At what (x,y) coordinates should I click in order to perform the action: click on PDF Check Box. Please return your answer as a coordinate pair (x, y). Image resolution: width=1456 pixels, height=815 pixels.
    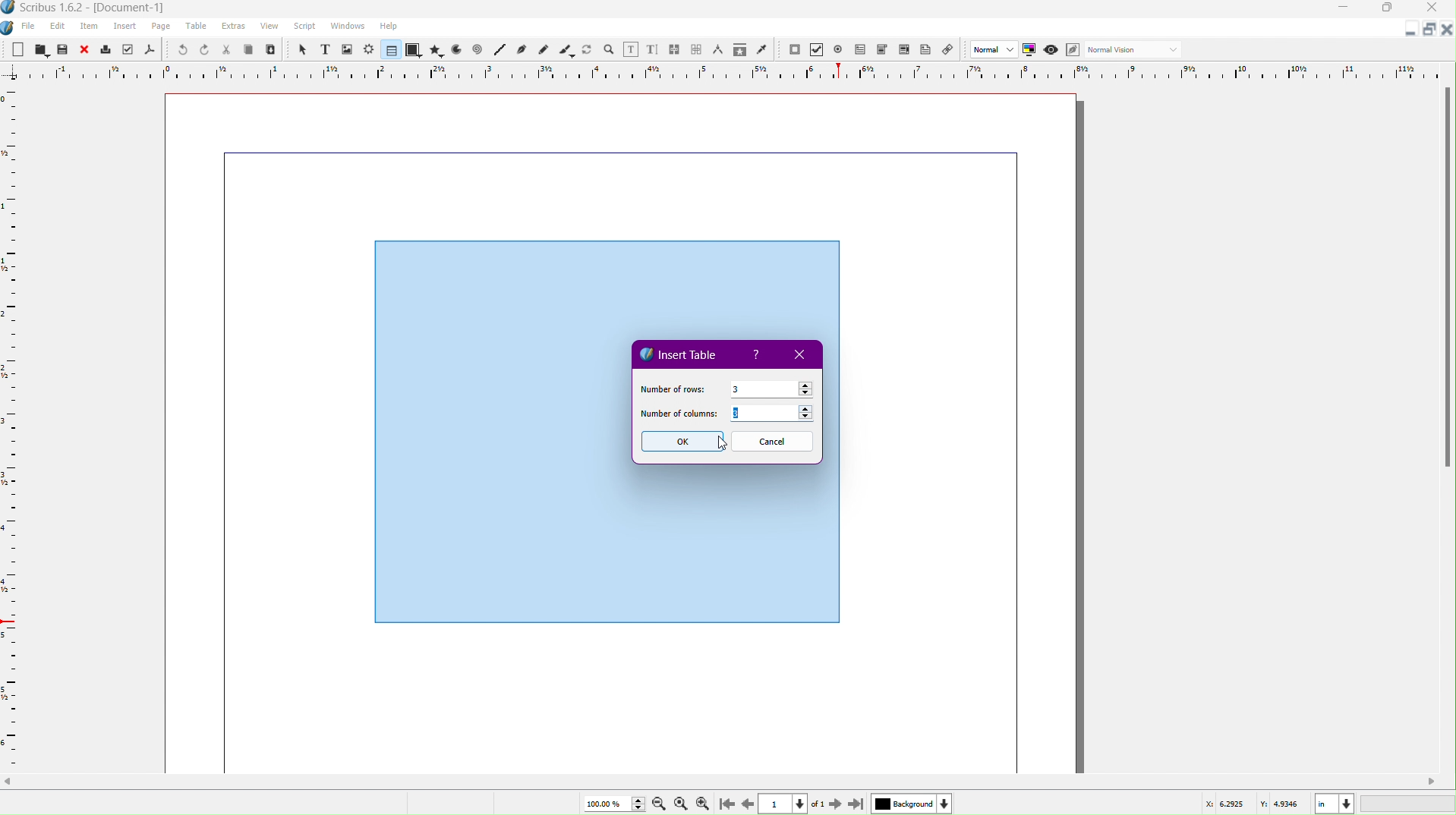
    Looking at the image, I should click on (819, 51).